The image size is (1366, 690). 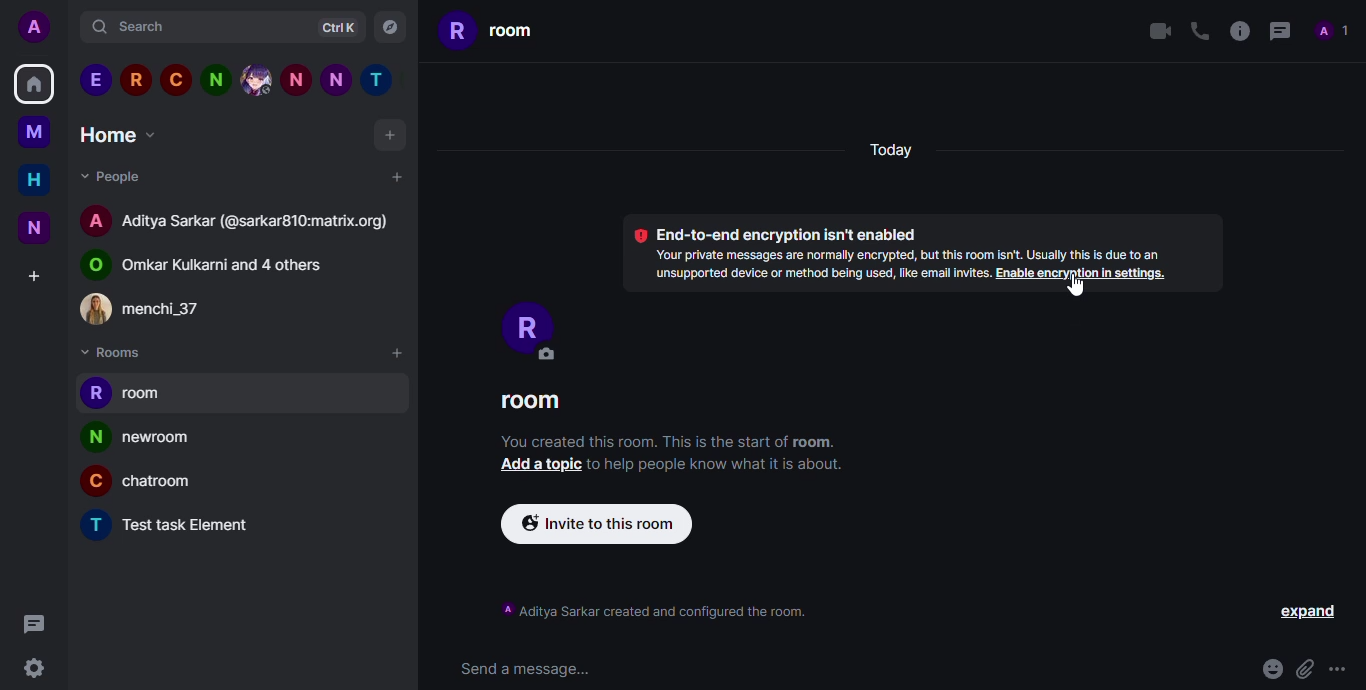 What do you see at coordinates (1196, 32) in the screenshot?
I see `voice call` at bounding box center [1196, 32].